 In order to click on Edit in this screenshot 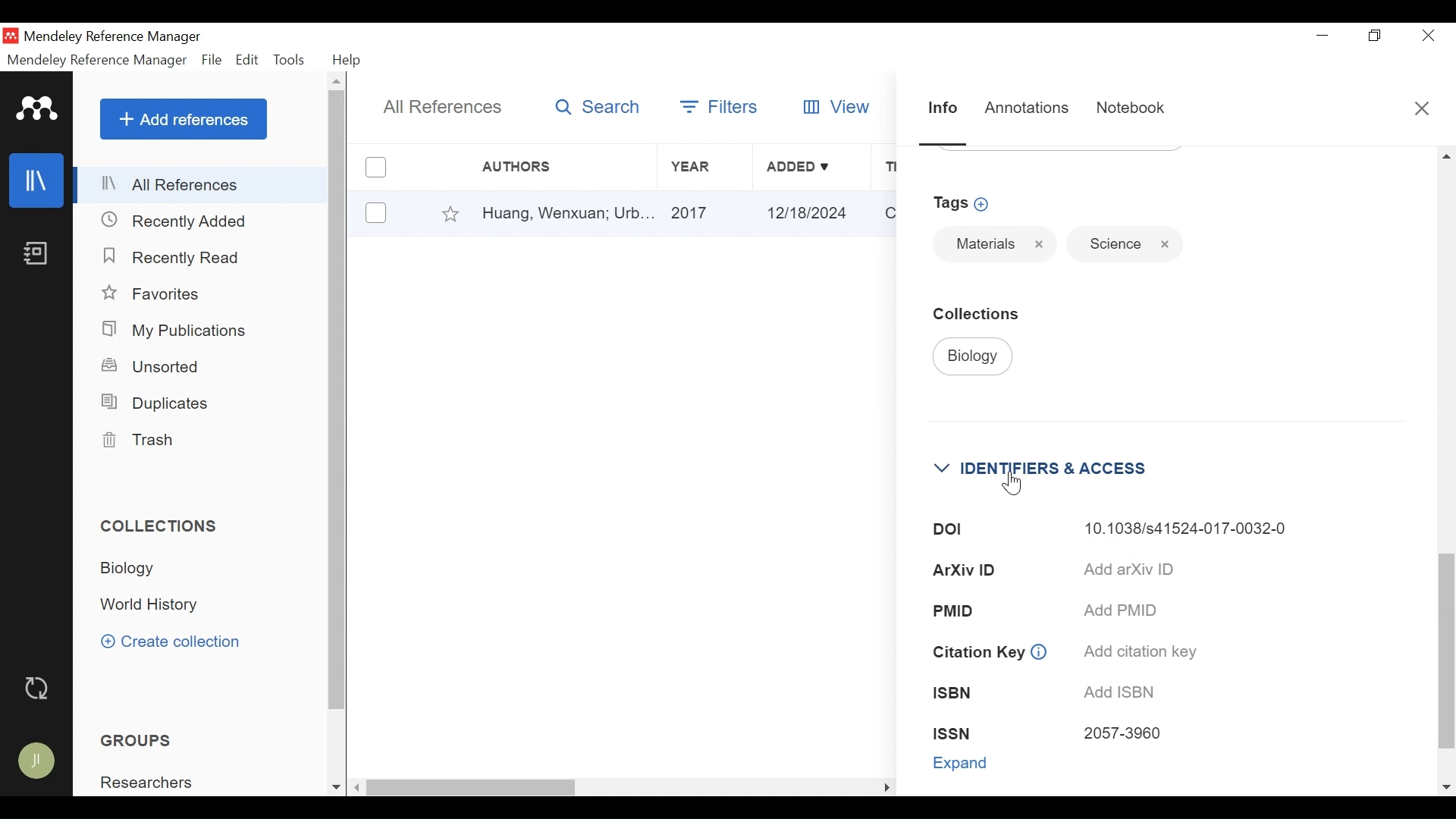, I will do `click(248, 61)`.